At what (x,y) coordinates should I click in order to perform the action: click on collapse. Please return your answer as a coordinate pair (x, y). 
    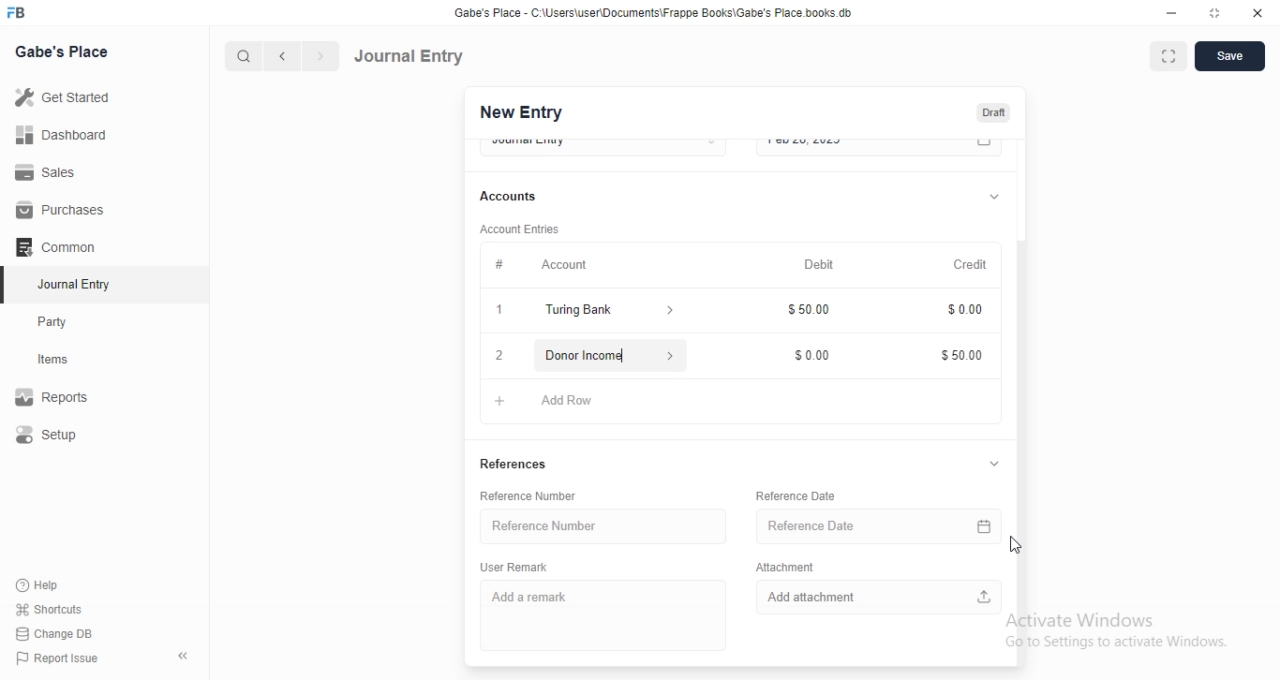
    Looking at the image, I should click on (994, 465).